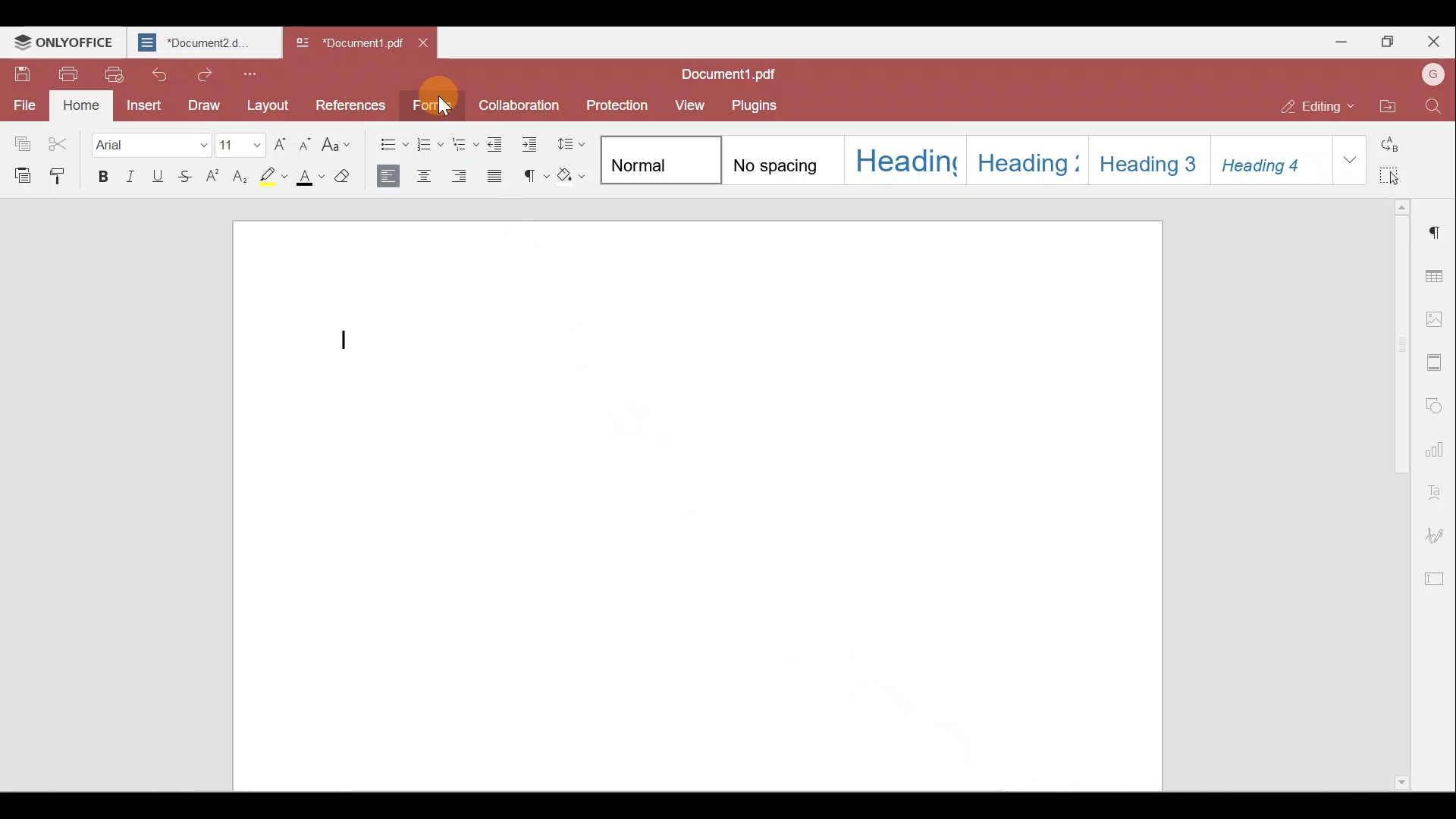 This screenshot has width=1456, height=819. Describe the element at coordinates (575, 176) in the screenshot. I see `Shading` at that location.